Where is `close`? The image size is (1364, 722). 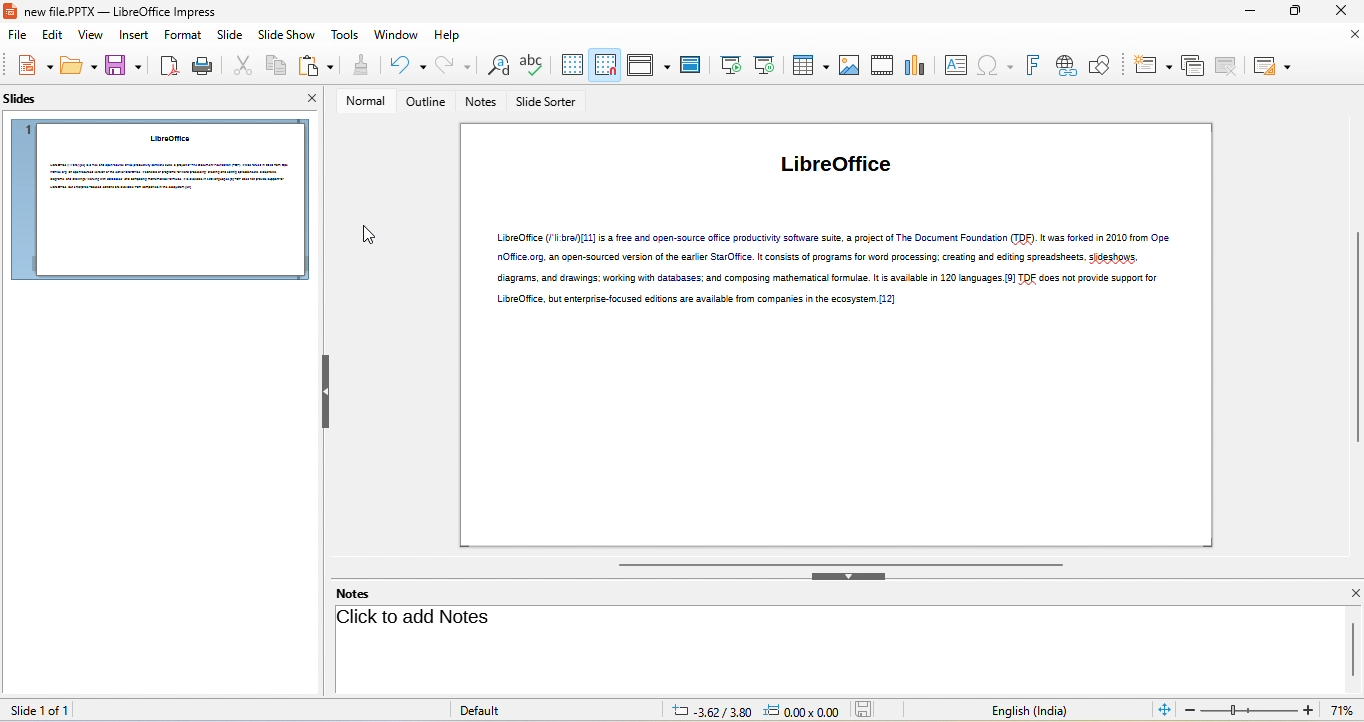
close is located at coordinates (308, 100).